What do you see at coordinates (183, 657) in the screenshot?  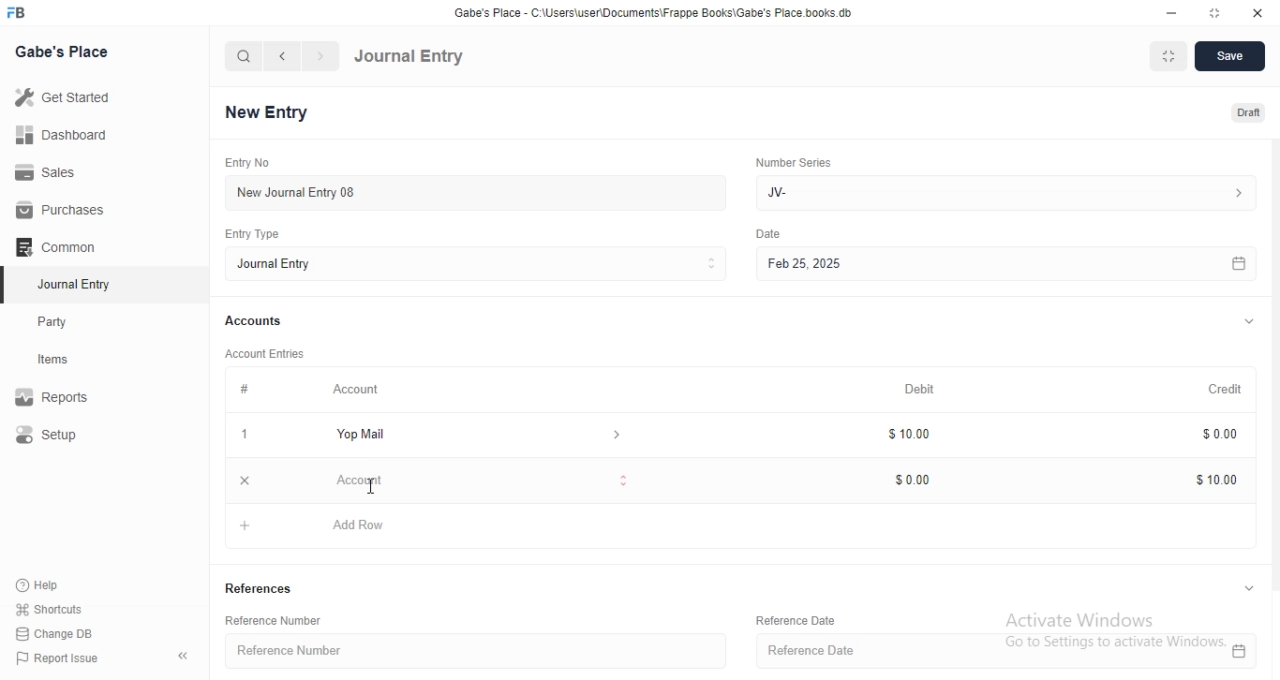 I see `collapse sidebar` at bounding box center [183, 657].